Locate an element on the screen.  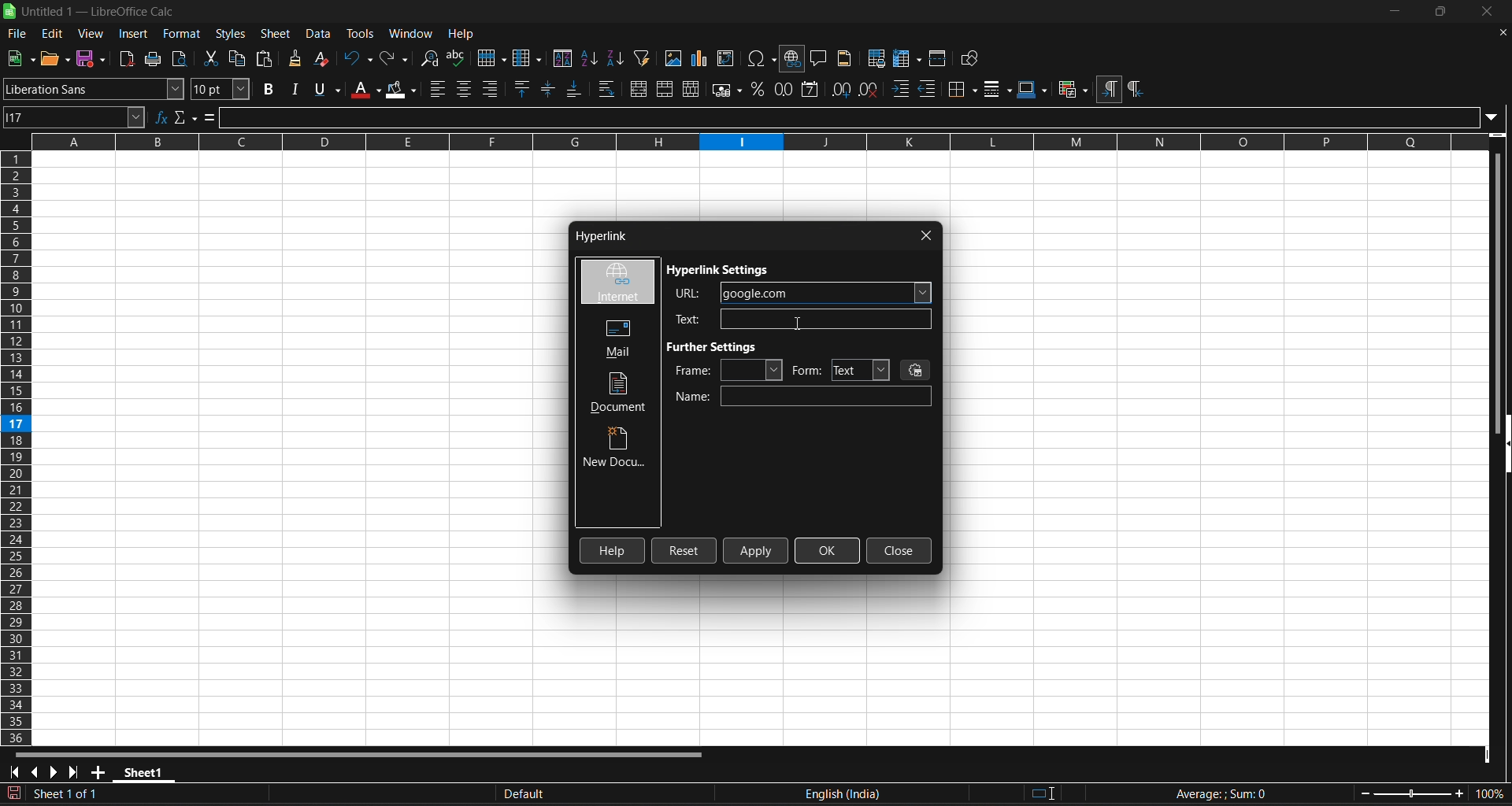
merge and center or unmerge cells depending on the current toggle state is located at coordinates (638, 88).